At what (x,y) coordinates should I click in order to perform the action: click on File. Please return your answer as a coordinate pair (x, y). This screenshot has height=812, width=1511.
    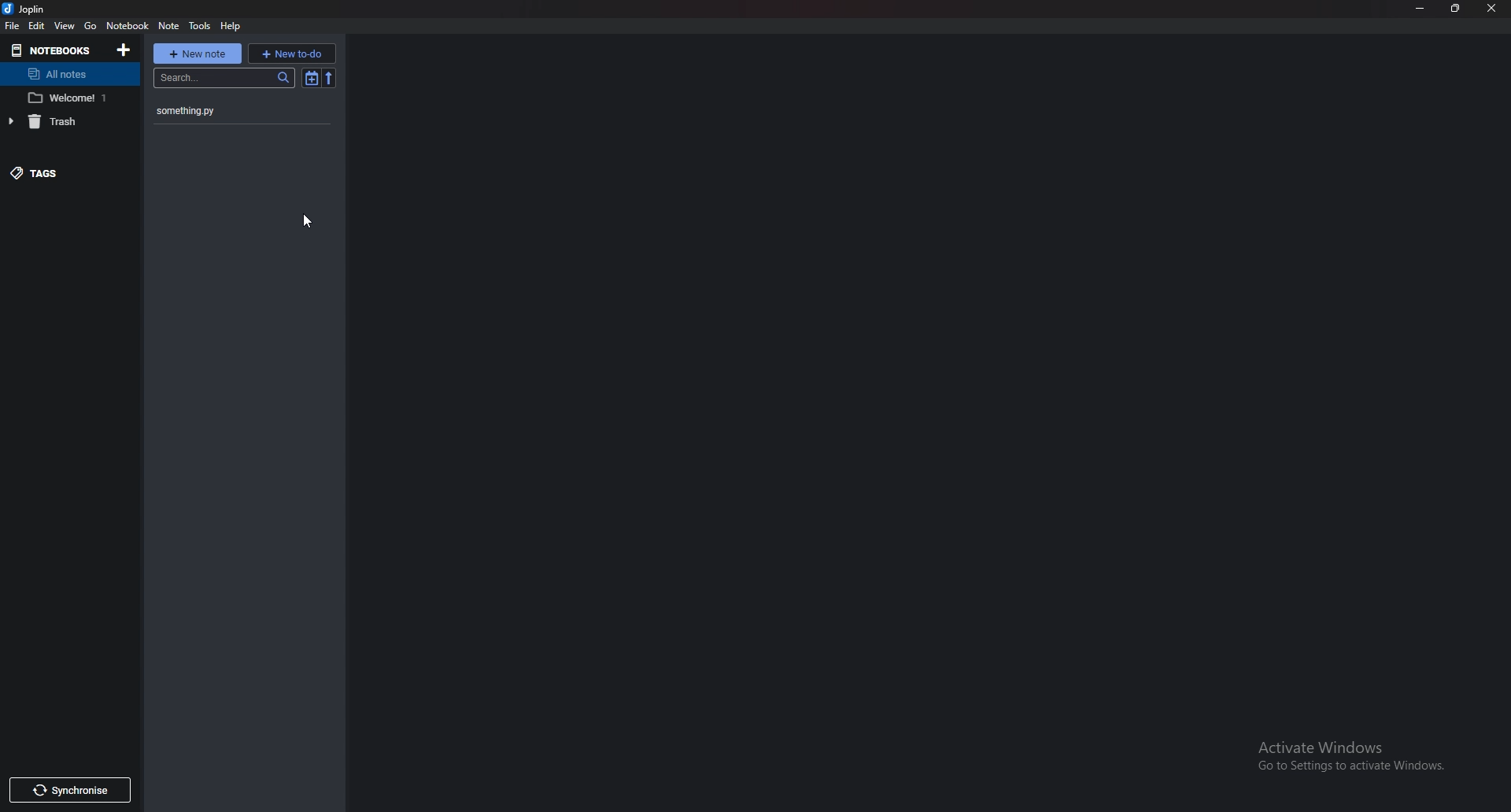
    Looking at the image, I should click on (13, 28).